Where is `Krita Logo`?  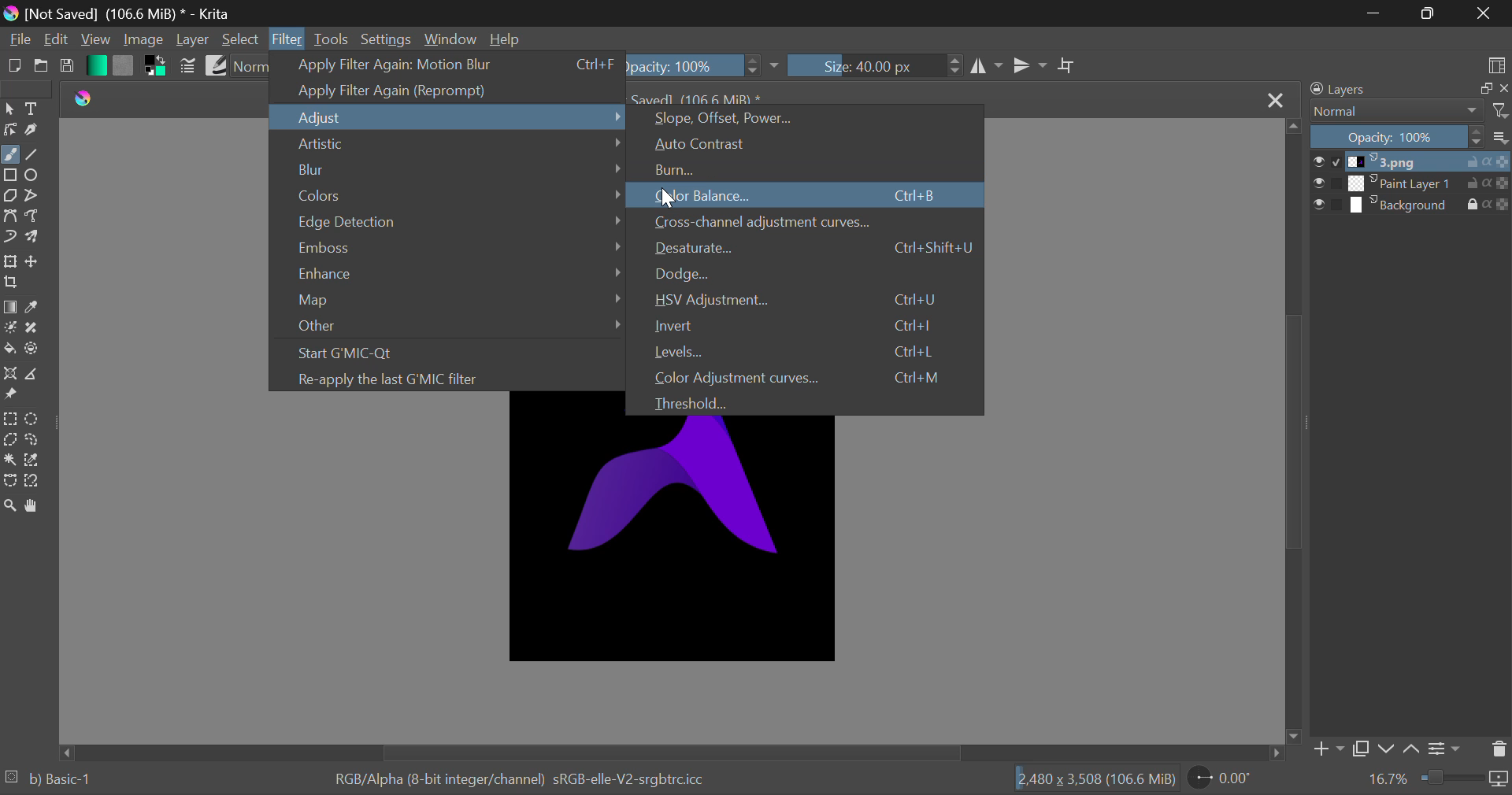
Krita Logo is located at coordinates (83, 97).